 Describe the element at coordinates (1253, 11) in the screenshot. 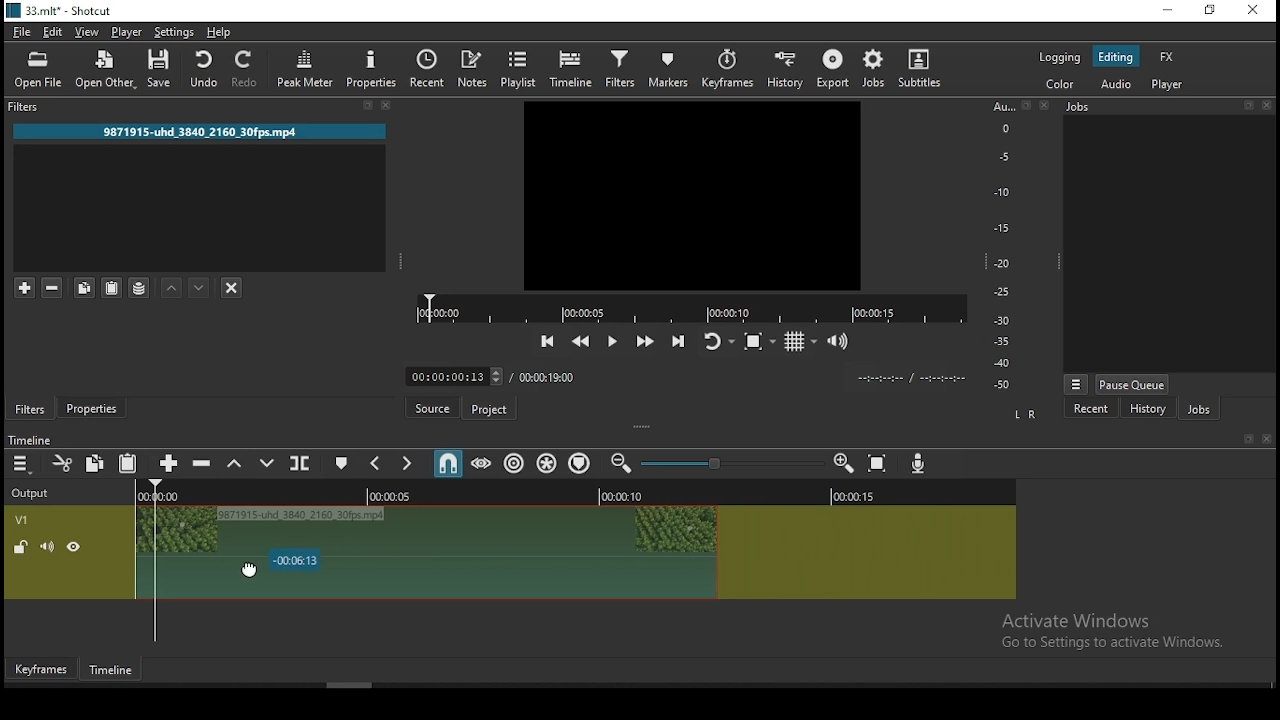

I see `close window` at that location.